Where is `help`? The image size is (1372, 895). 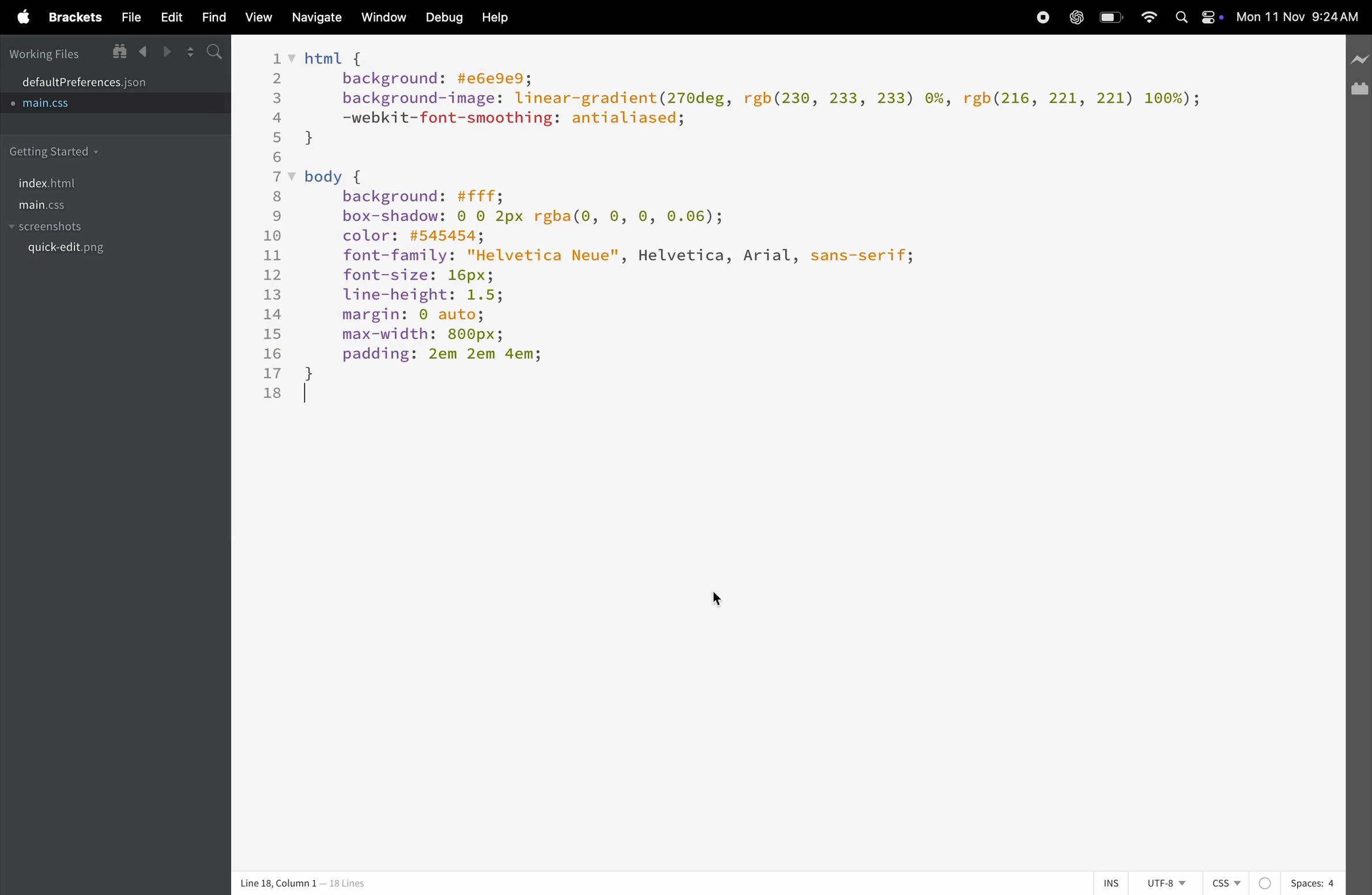 help is located at coordinates (496, 17).